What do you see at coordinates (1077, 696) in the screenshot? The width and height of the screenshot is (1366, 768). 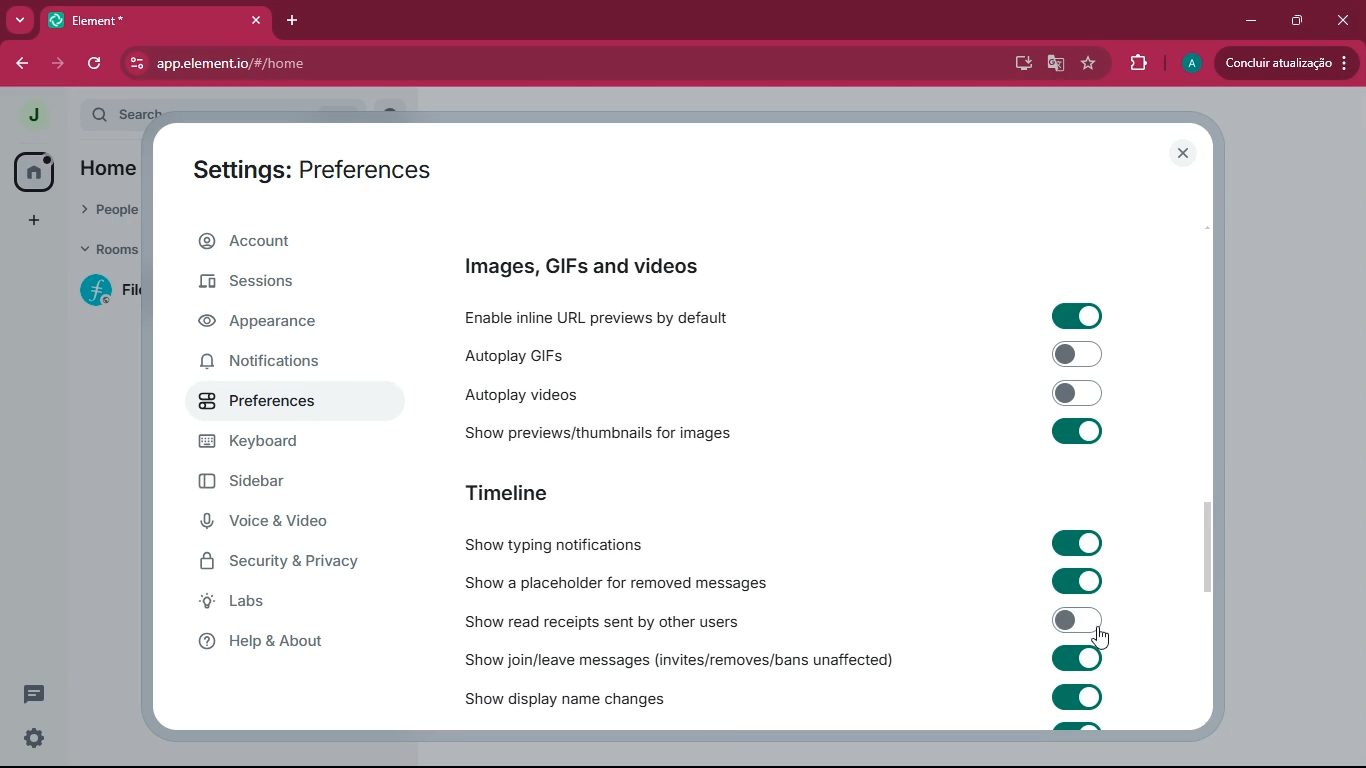 I see `toggle on/off` at bounding box center [1077, 696].